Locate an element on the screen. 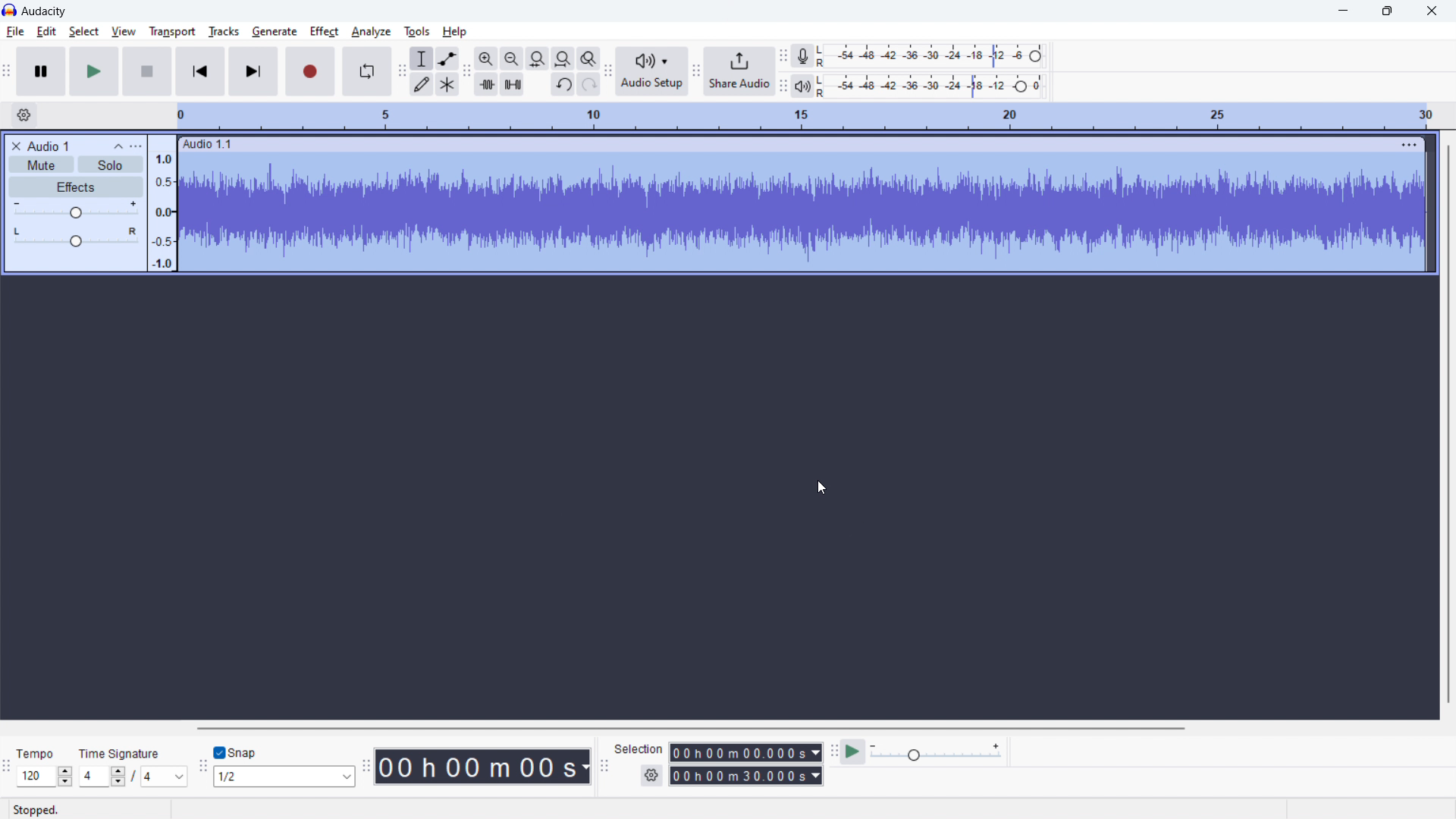  select is located at coordinates (84, 32).